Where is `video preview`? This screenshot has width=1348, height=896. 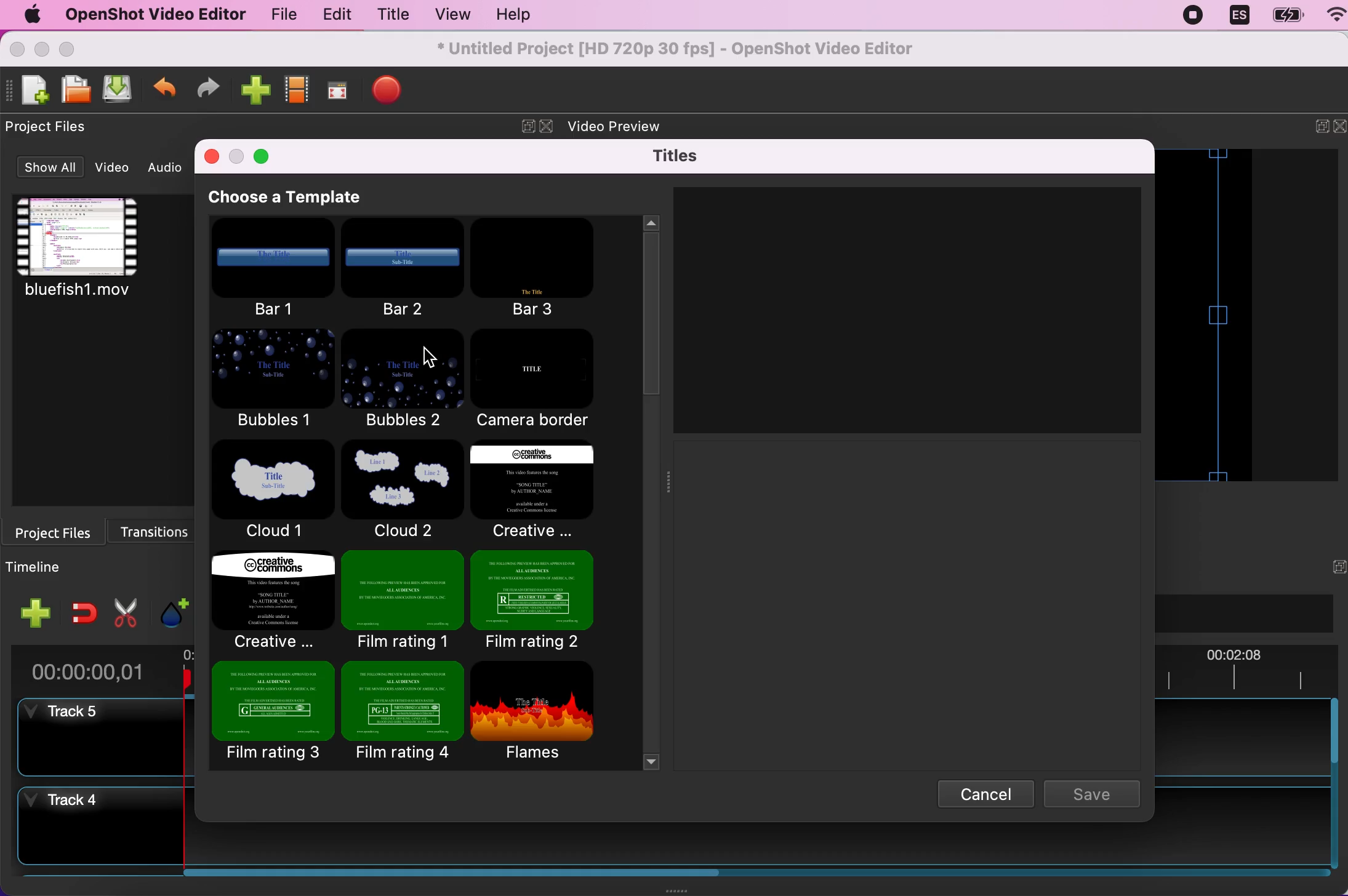
video preview is located at coordinates (628, 123).